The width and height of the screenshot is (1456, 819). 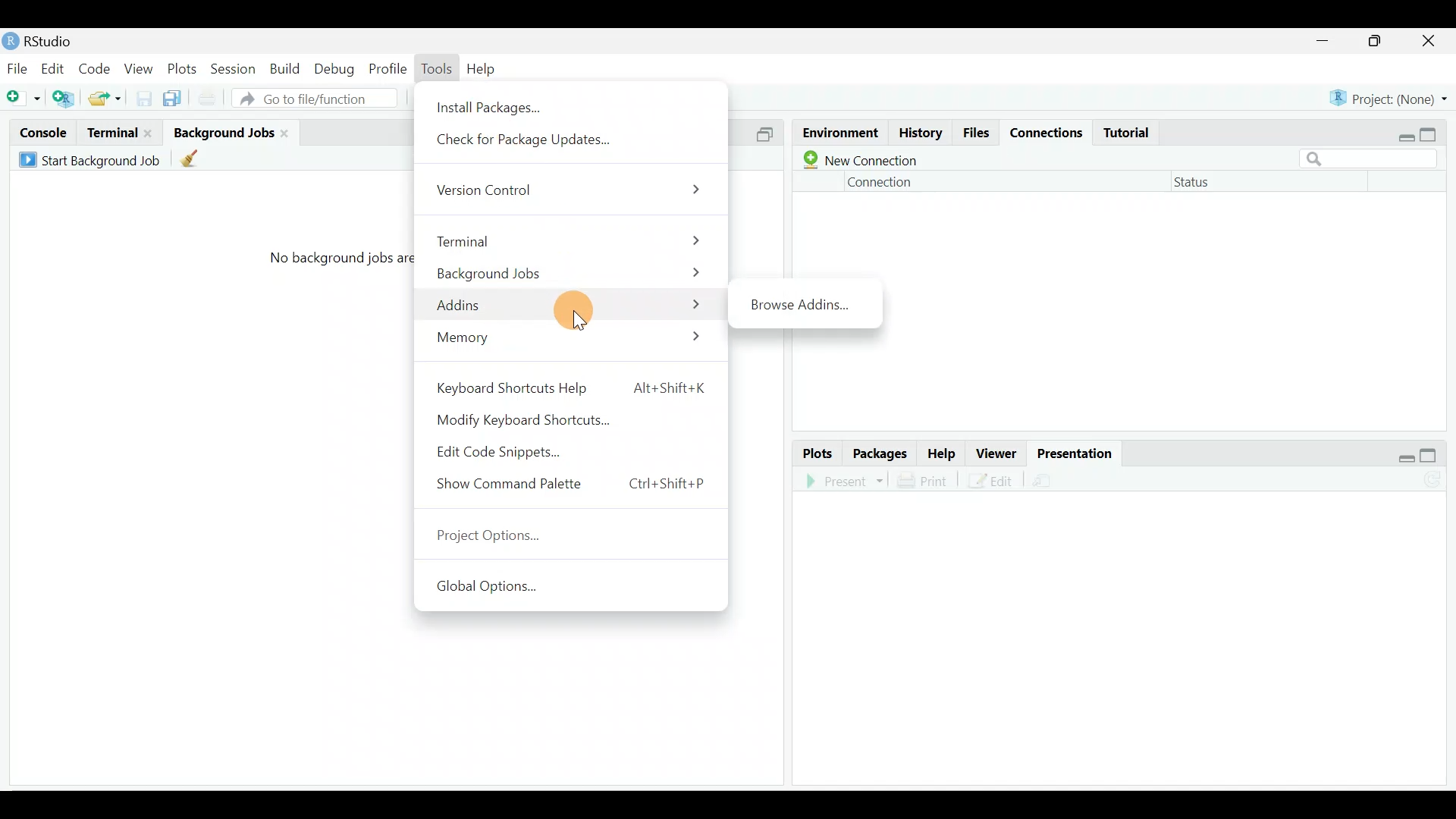 What do you see at coordinates (96, 70) in the screenshot?
I see `Code` at bounding box center [96, 70].